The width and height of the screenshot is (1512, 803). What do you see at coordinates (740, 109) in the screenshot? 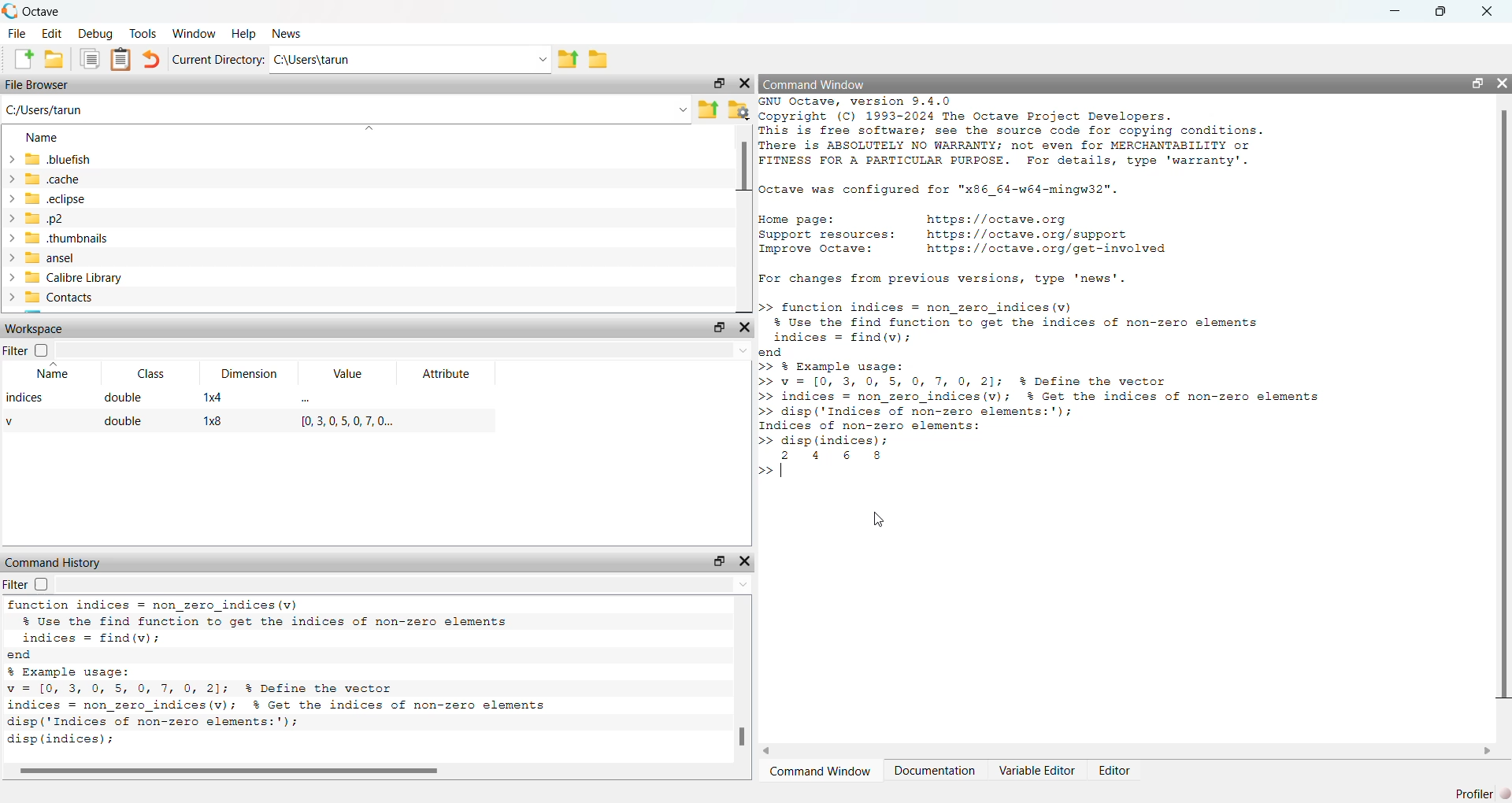
I see `folder settings` at bounding box center [740, 109].